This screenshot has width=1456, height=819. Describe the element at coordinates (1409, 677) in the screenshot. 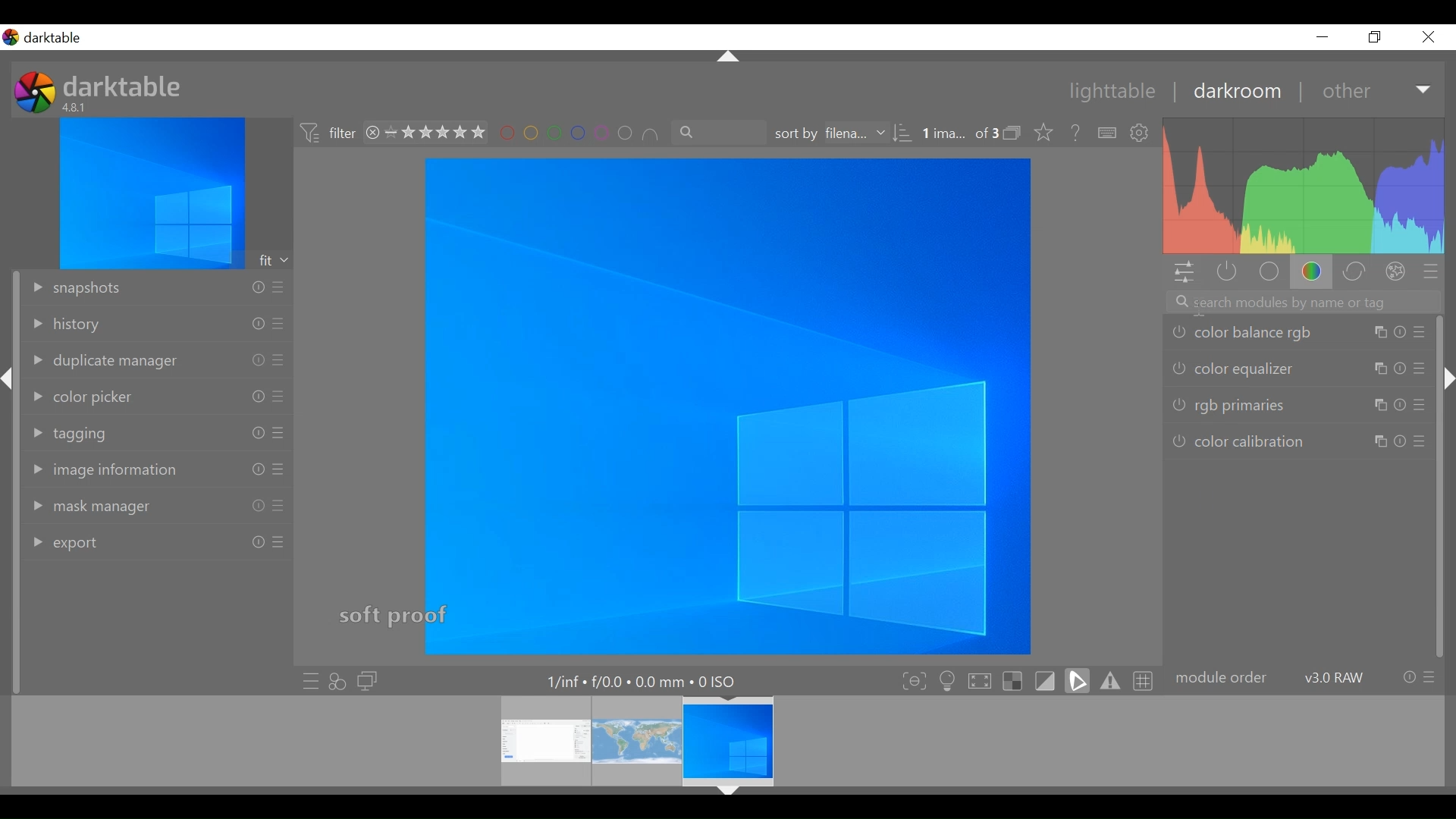

I see `info` at that location.